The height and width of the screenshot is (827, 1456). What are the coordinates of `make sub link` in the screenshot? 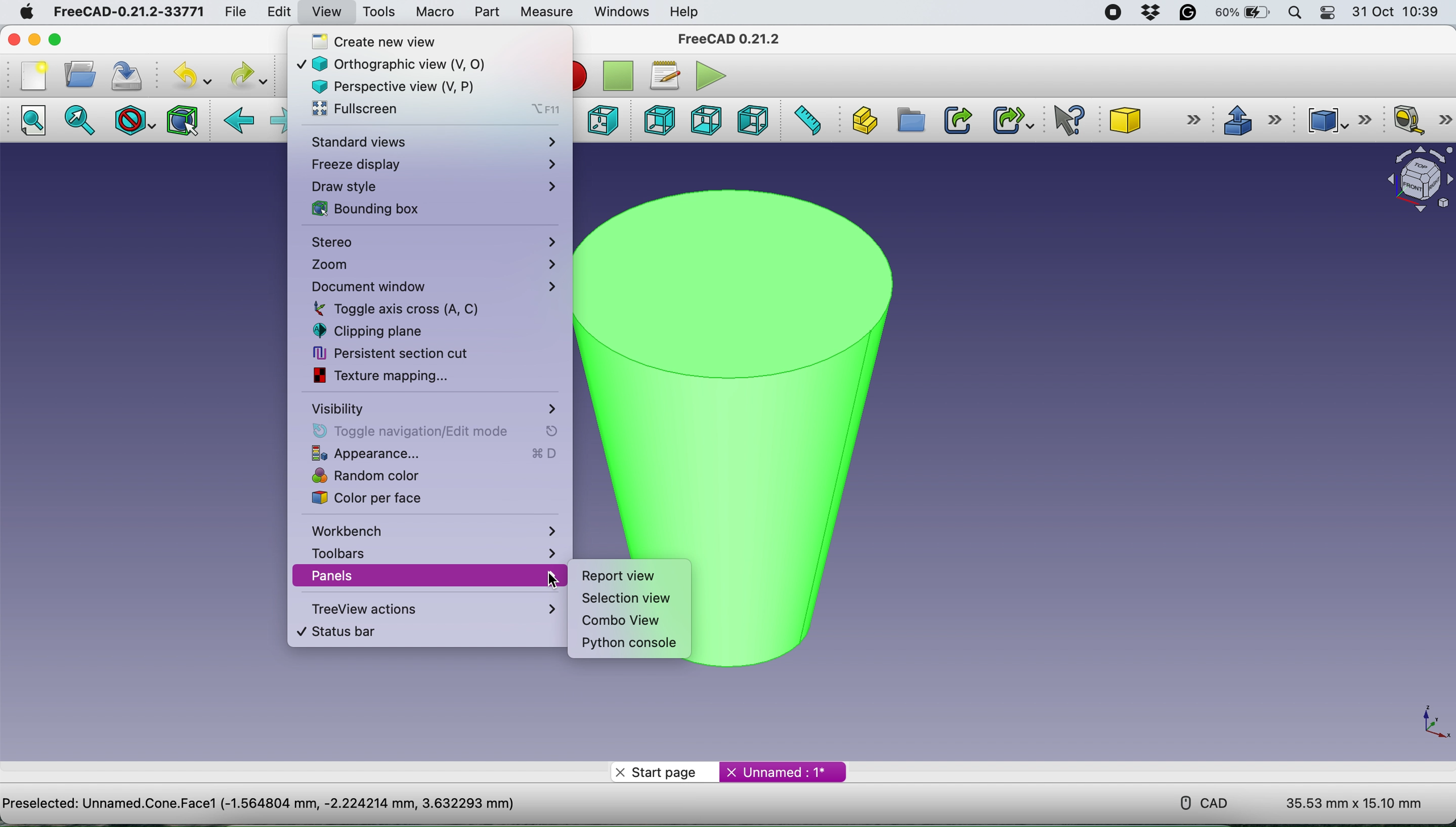 It's located at (1012, 120).